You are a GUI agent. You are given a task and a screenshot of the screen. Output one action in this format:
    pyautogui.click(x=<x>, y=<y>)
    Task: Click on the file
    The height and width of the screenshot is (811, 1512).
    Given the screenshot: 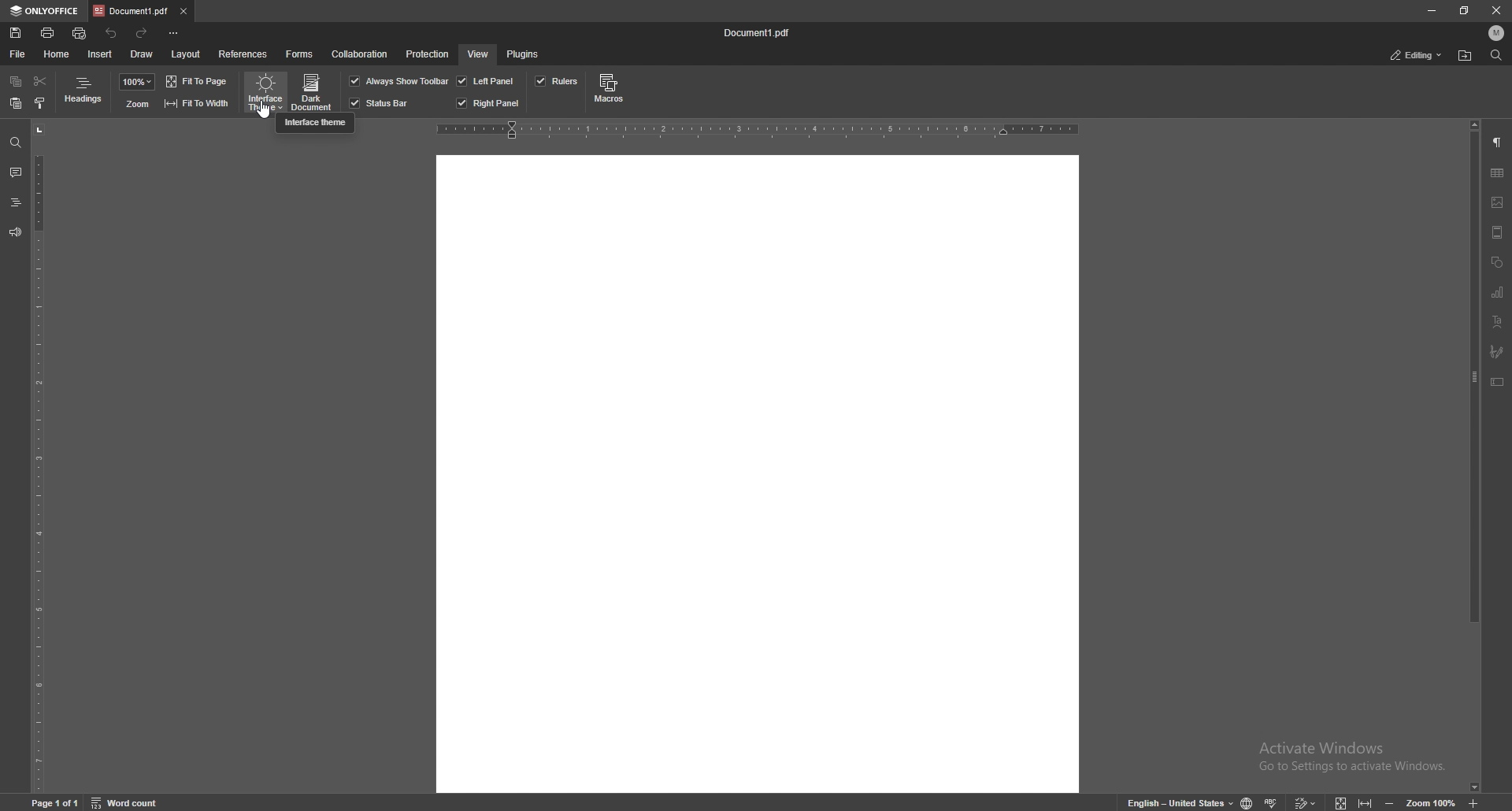 What is the action you would take?
    pyautogui.click(x=18, y=54)
    